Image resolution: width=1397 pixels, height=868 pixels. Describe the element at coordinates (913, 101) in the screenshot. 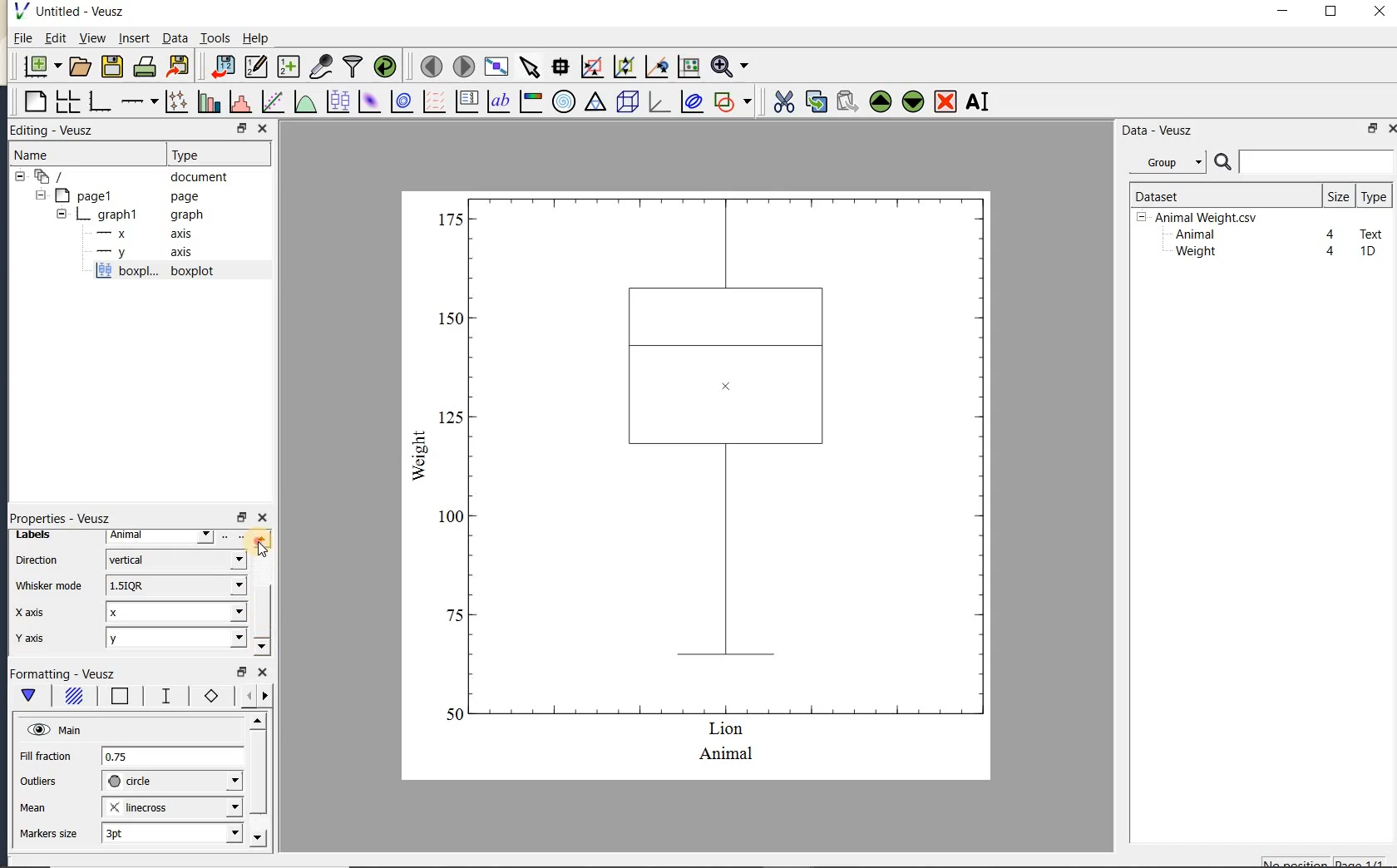

I see `move the selected widget down` at that location.